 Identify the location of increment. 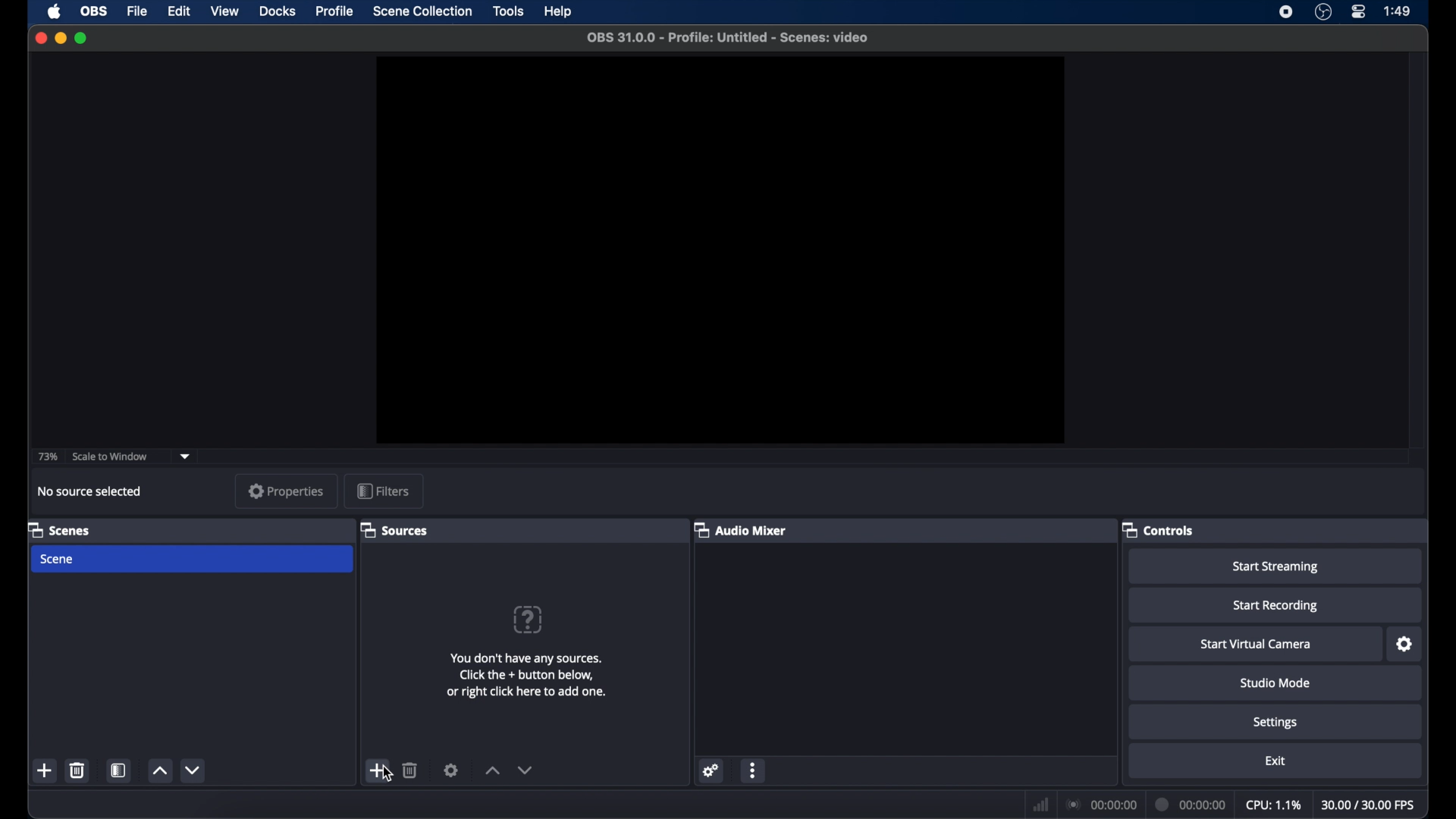
(160, 770).